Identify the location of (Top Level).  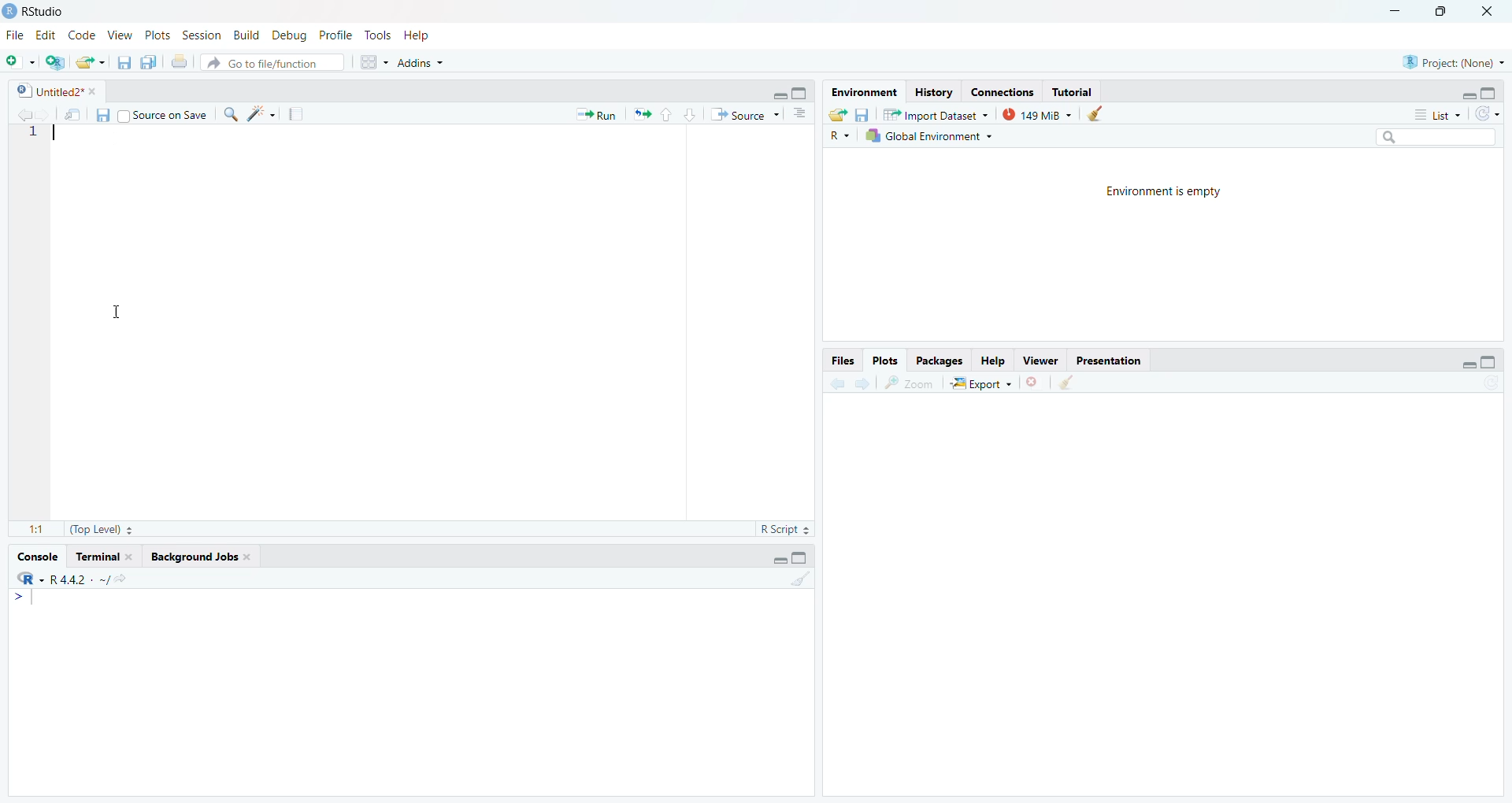
(99, 529).